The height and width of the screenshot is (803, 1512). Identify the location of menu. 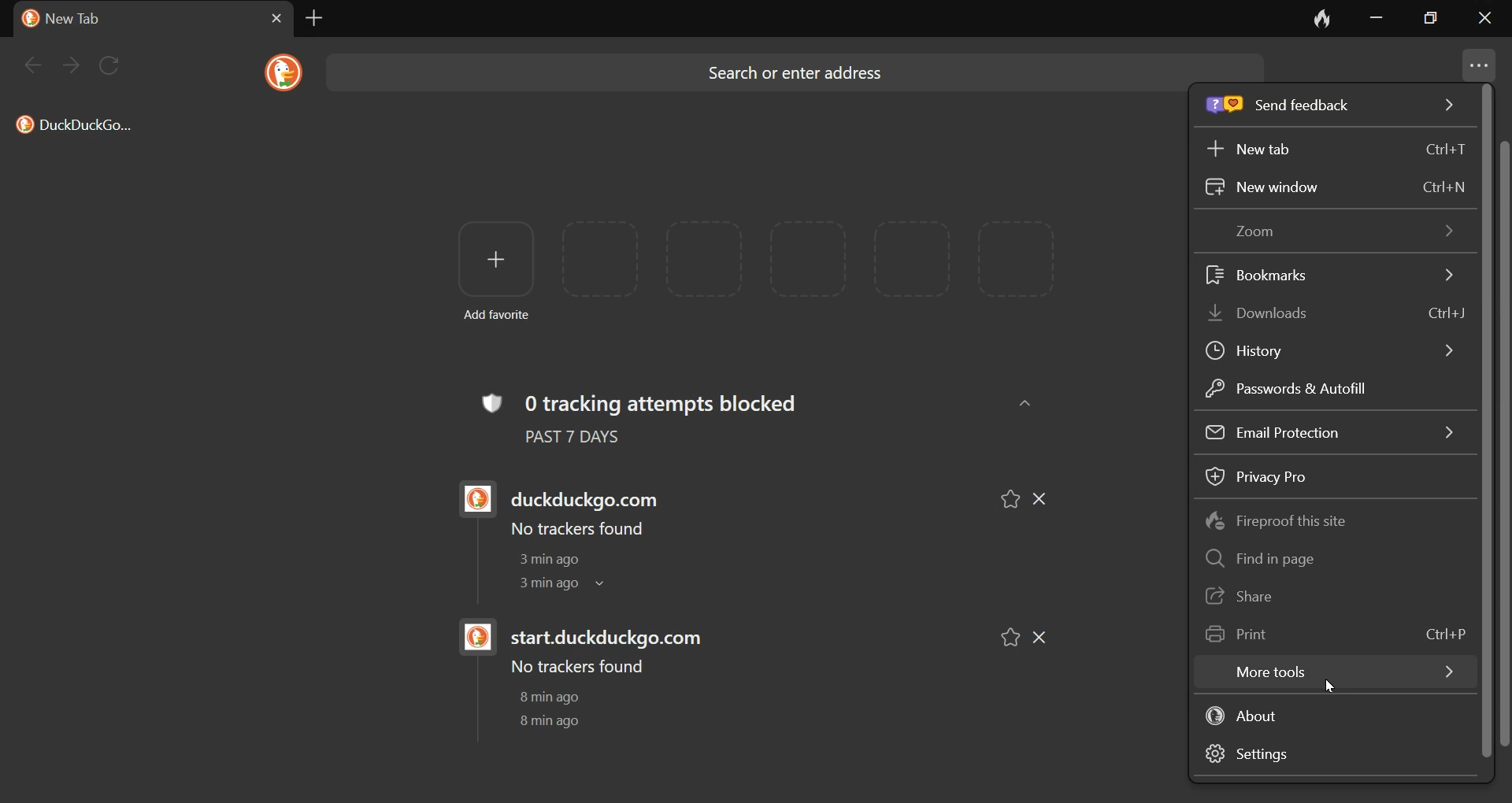
(1478, 62).